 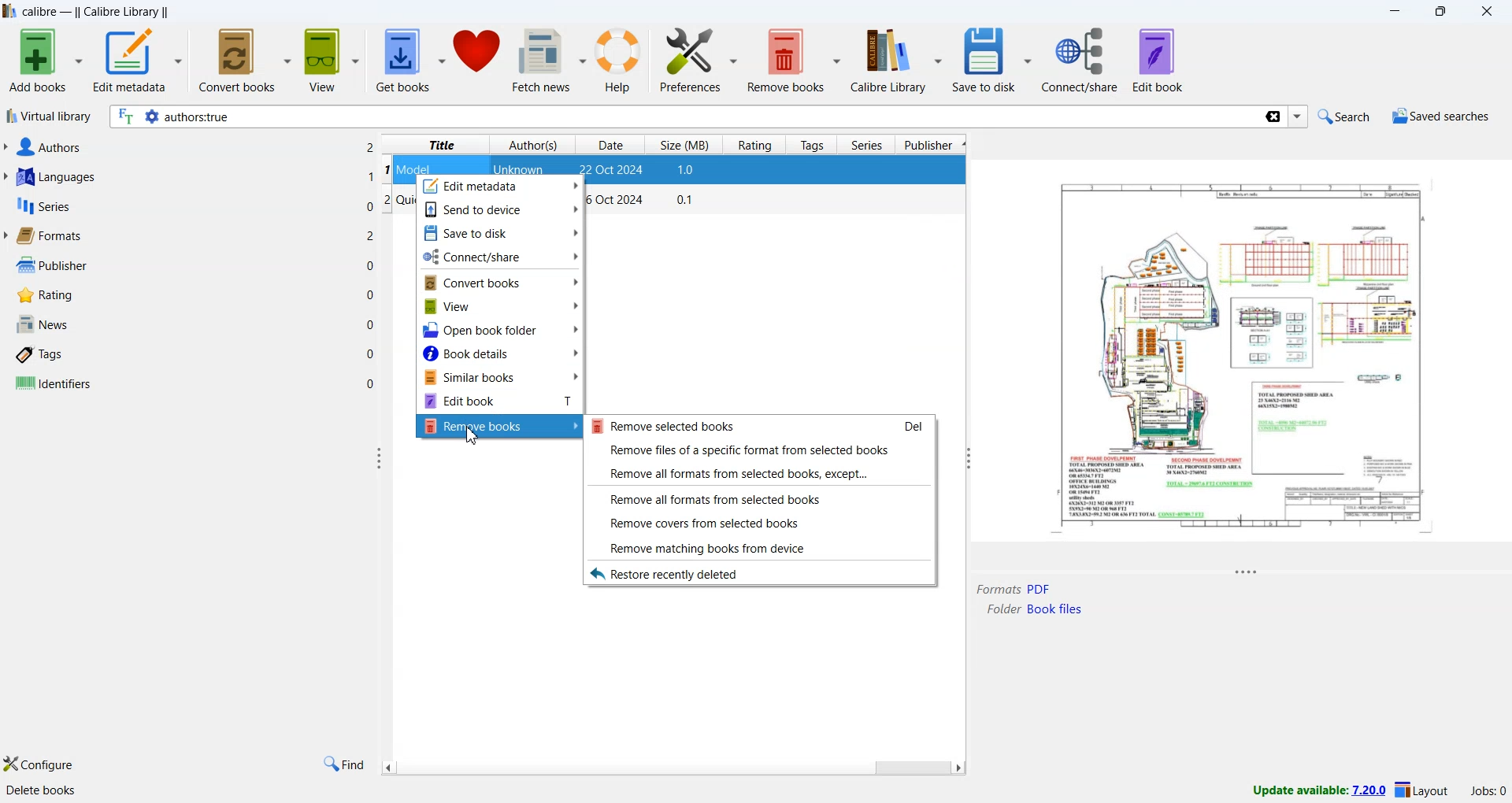 I want to click on languages, so click(x=54, y=179).